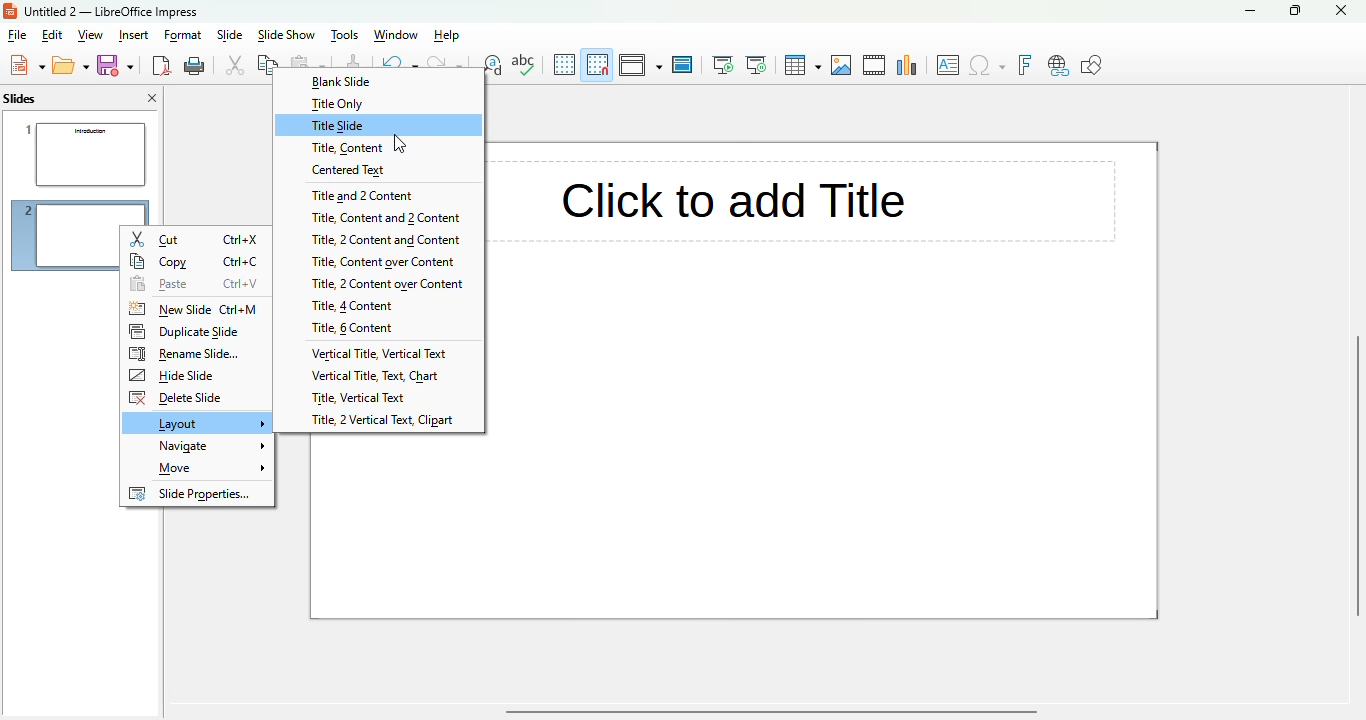  Describe the element at coordinates (197, 262) in the screenshot. I see `copy` at that location.